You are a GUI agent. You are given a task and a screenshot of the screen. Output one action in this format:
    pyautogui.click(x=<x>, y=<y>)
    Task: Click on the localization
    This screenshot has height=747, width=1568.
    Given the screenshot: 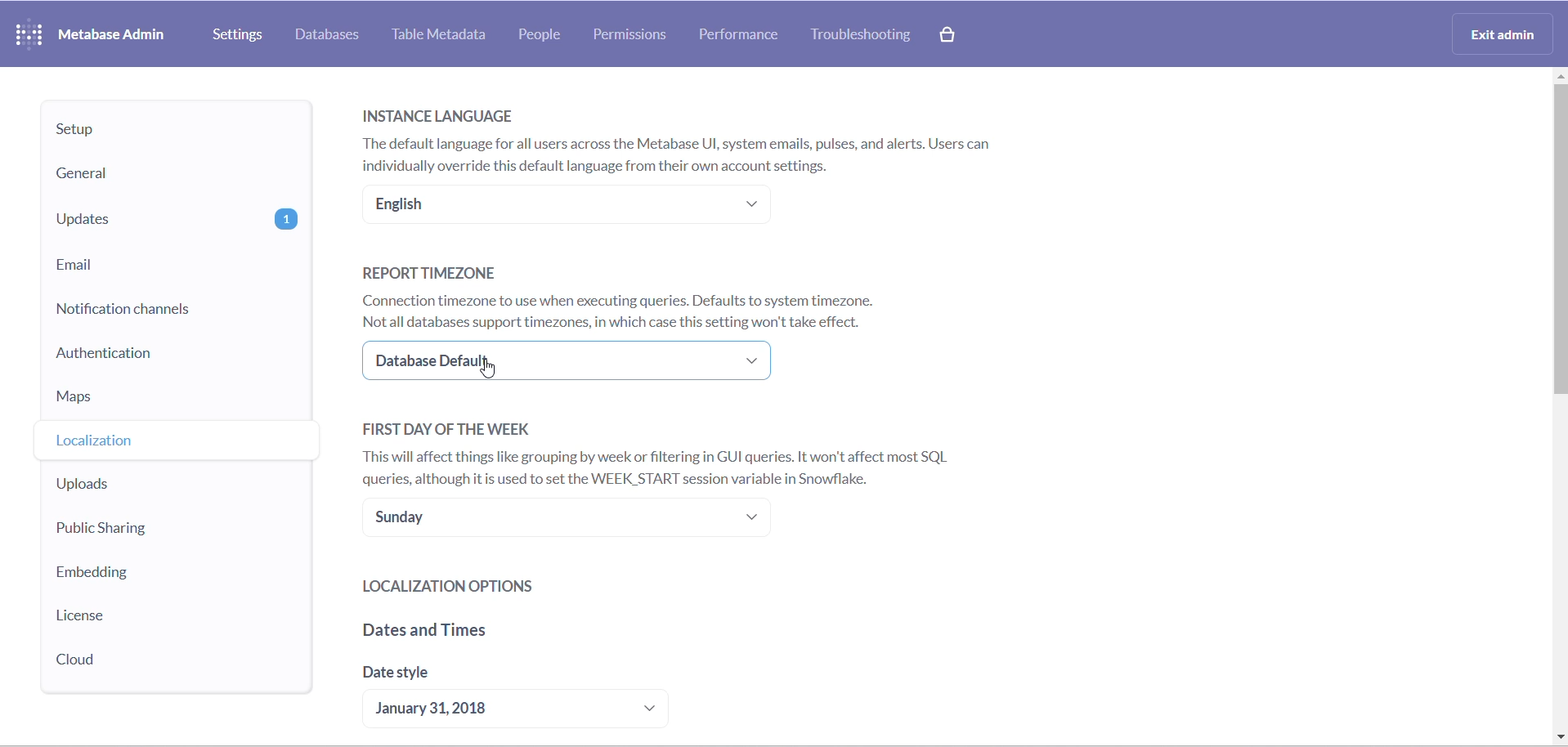 What is the action you would take?
    pyautogui.click(x=159, y=444)
    